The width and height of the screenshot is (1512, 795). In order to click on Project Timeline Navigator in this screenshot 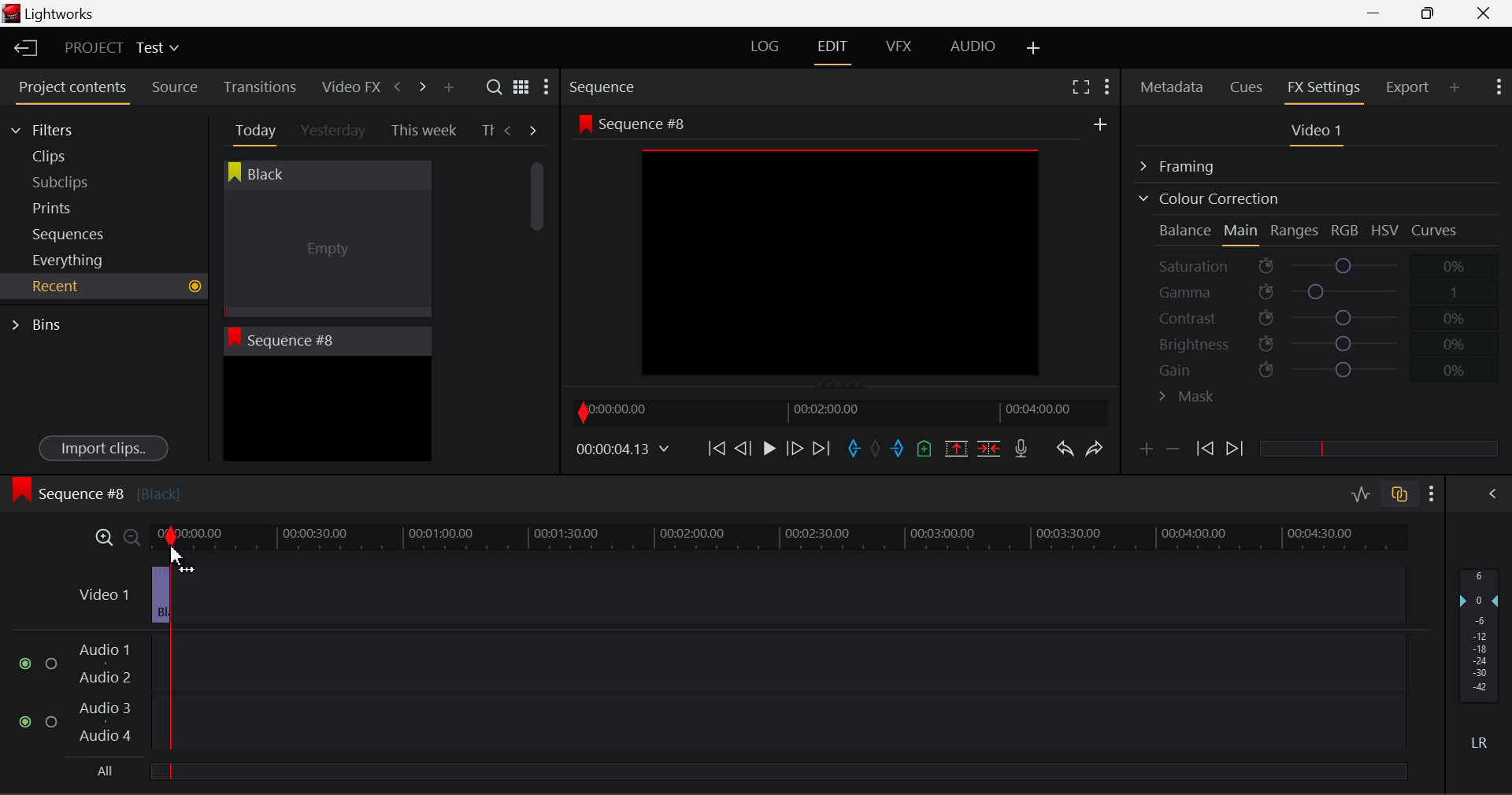, I will do `click(838, 412)`.